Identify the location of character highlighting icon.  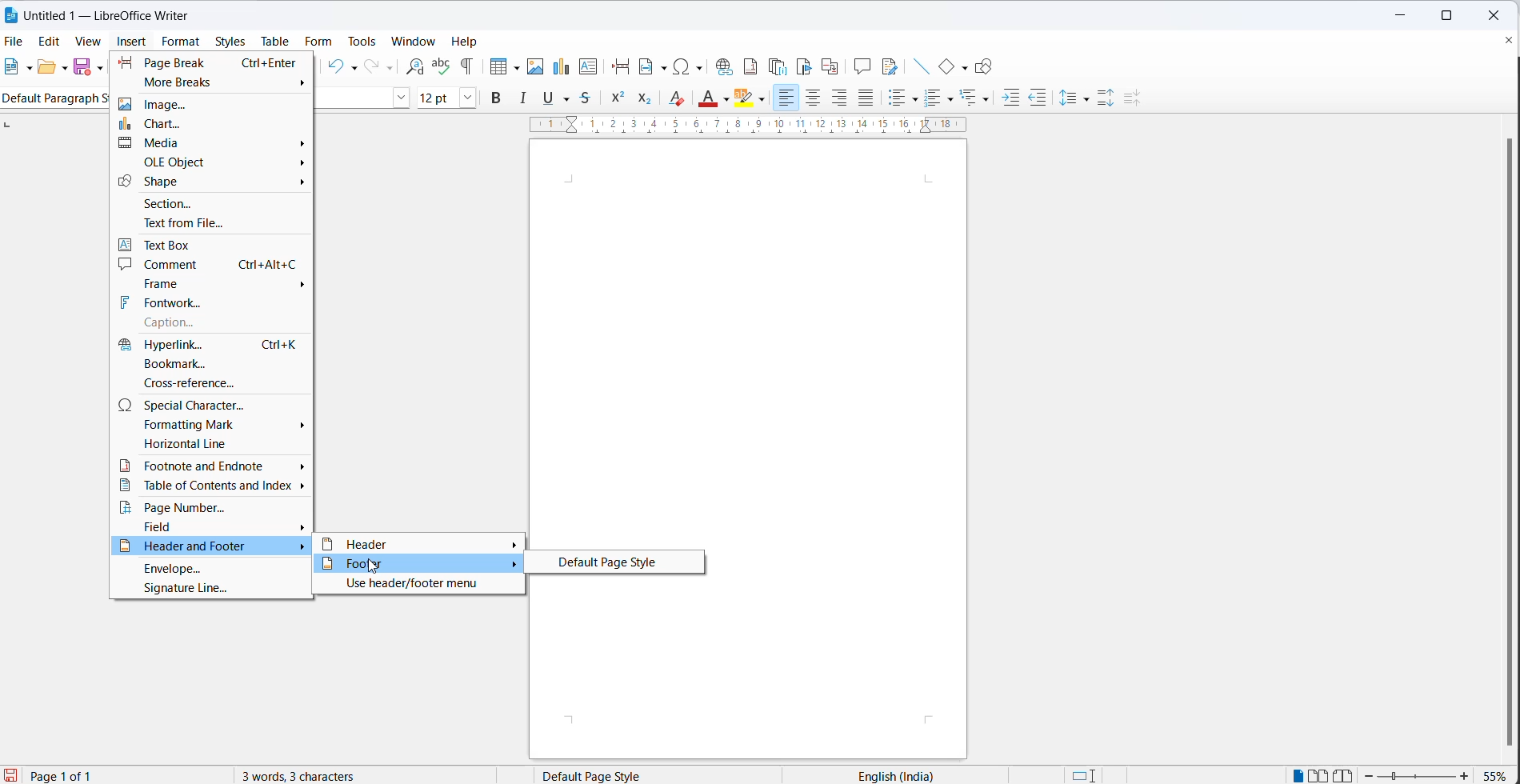
(746, 98).